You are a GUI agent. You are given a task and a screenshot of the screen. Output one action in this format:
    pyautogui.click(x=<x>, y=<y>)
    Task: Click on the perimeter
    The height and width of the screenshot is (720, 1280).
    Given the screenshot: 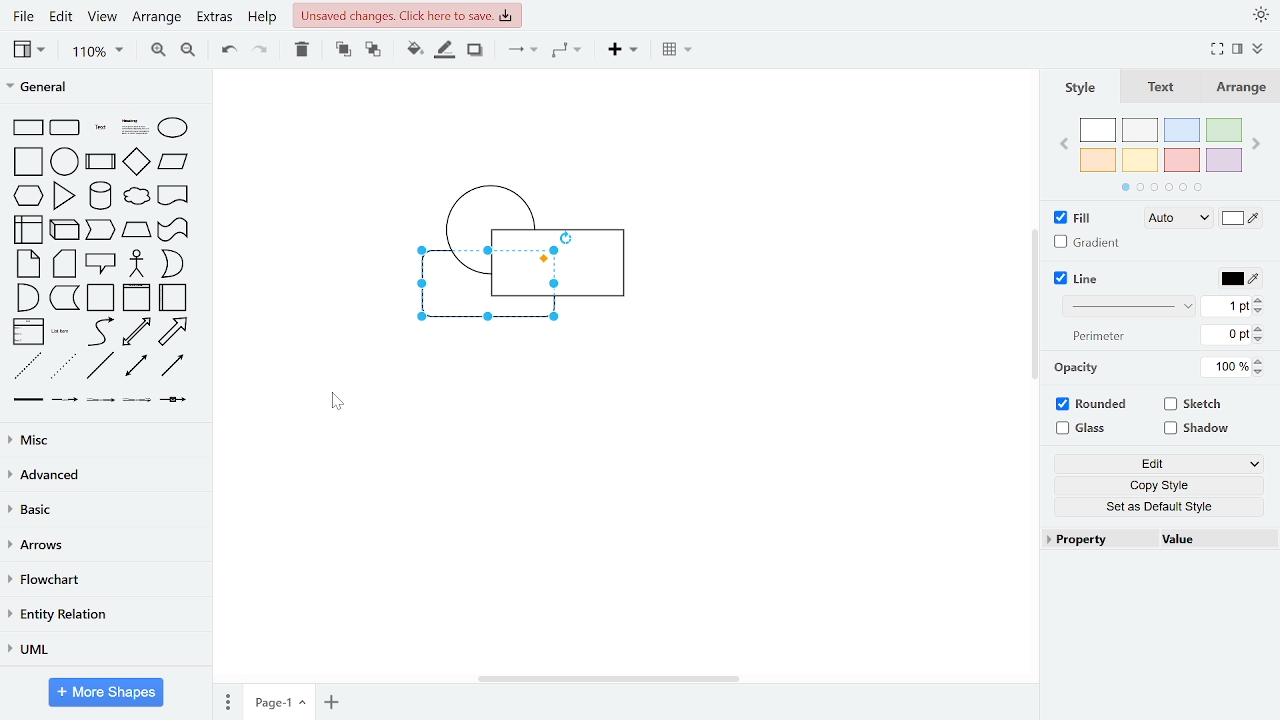 What is the action you would take?
    pyautogui.click(x=1095, y=337)
    